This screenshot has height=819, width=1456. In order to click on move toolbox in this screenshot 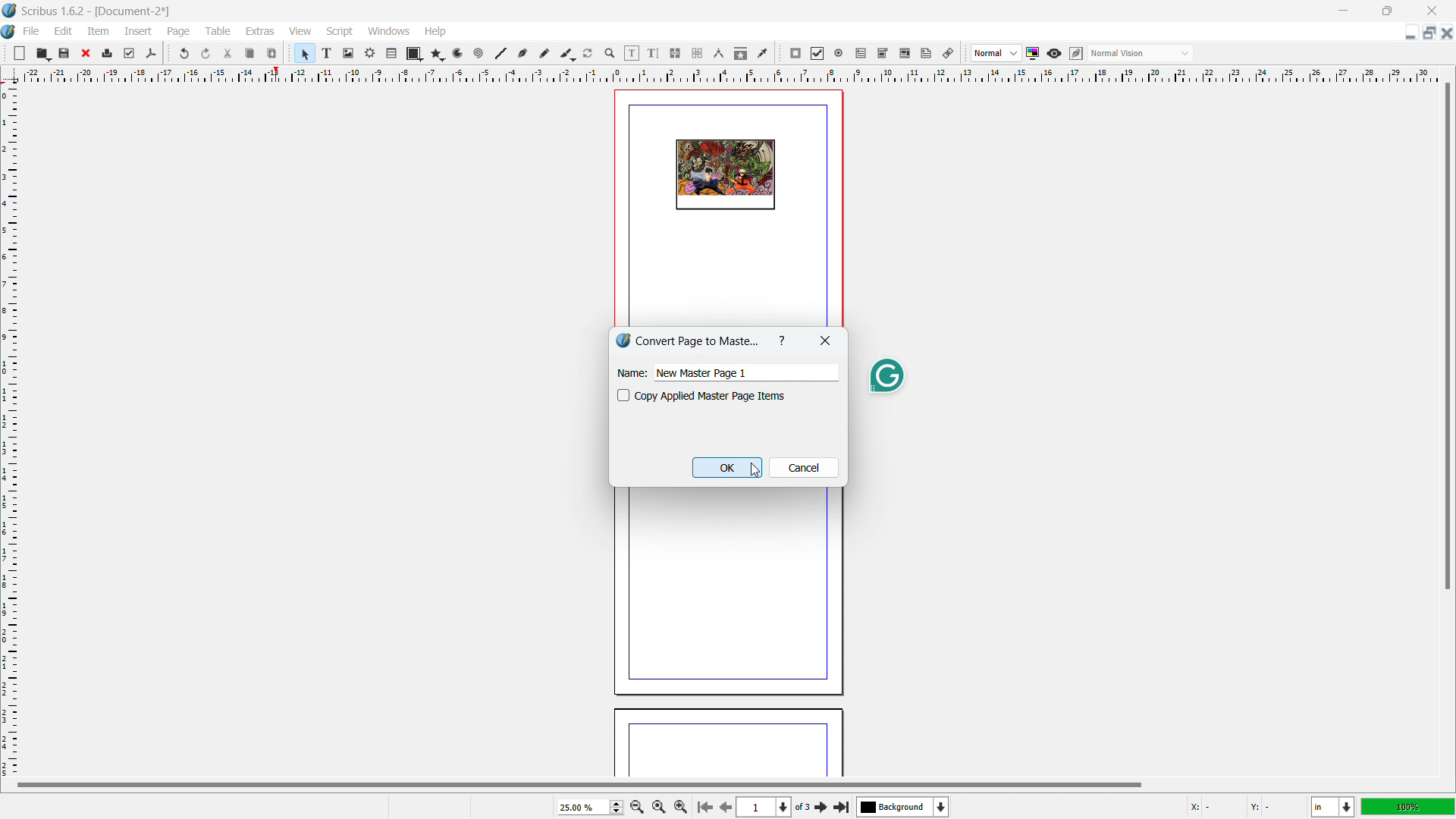, I will do `click(168, 52)`.